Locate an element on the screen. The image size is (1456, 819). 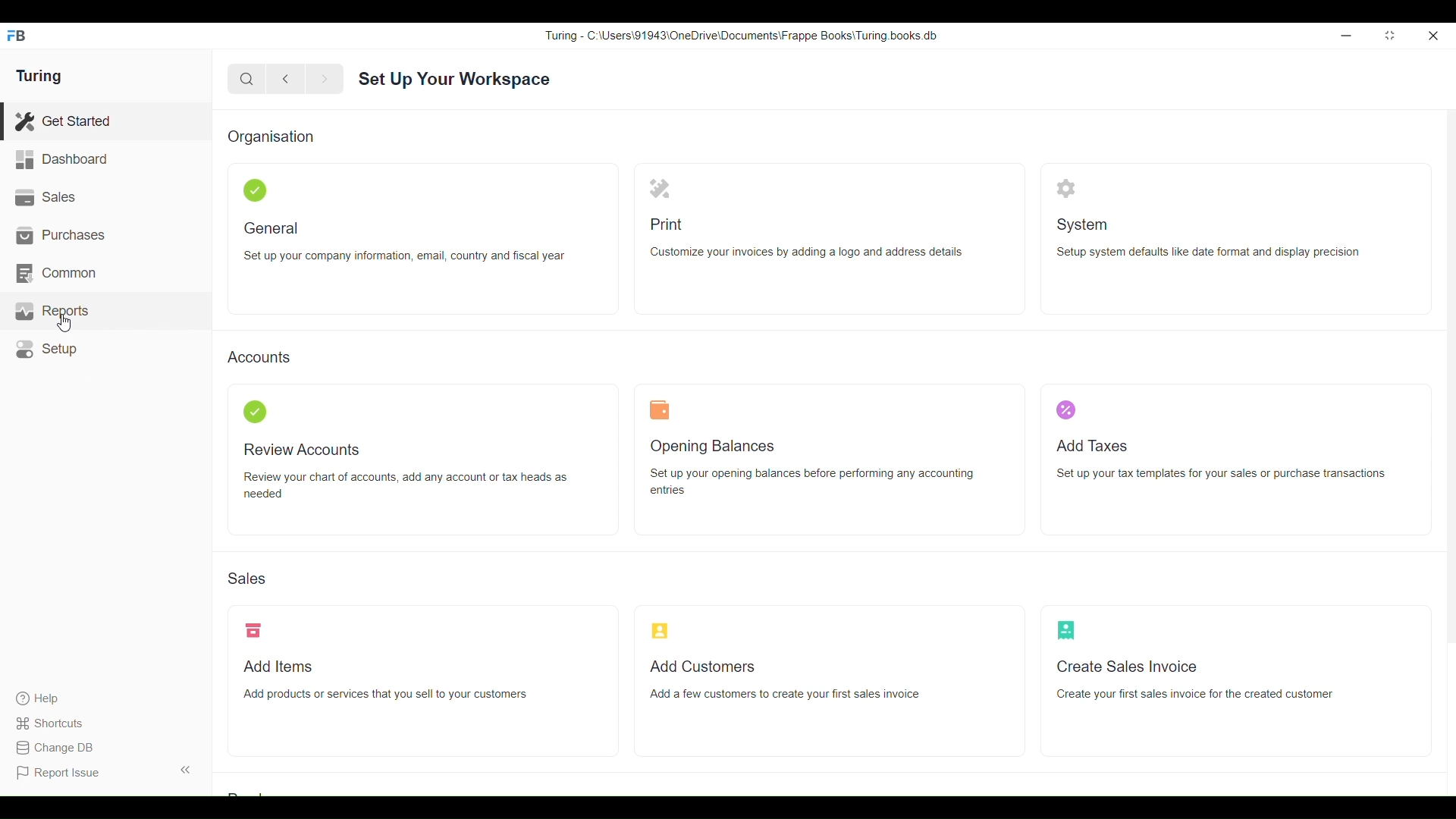
Setup is located at coordinates (105, 350).